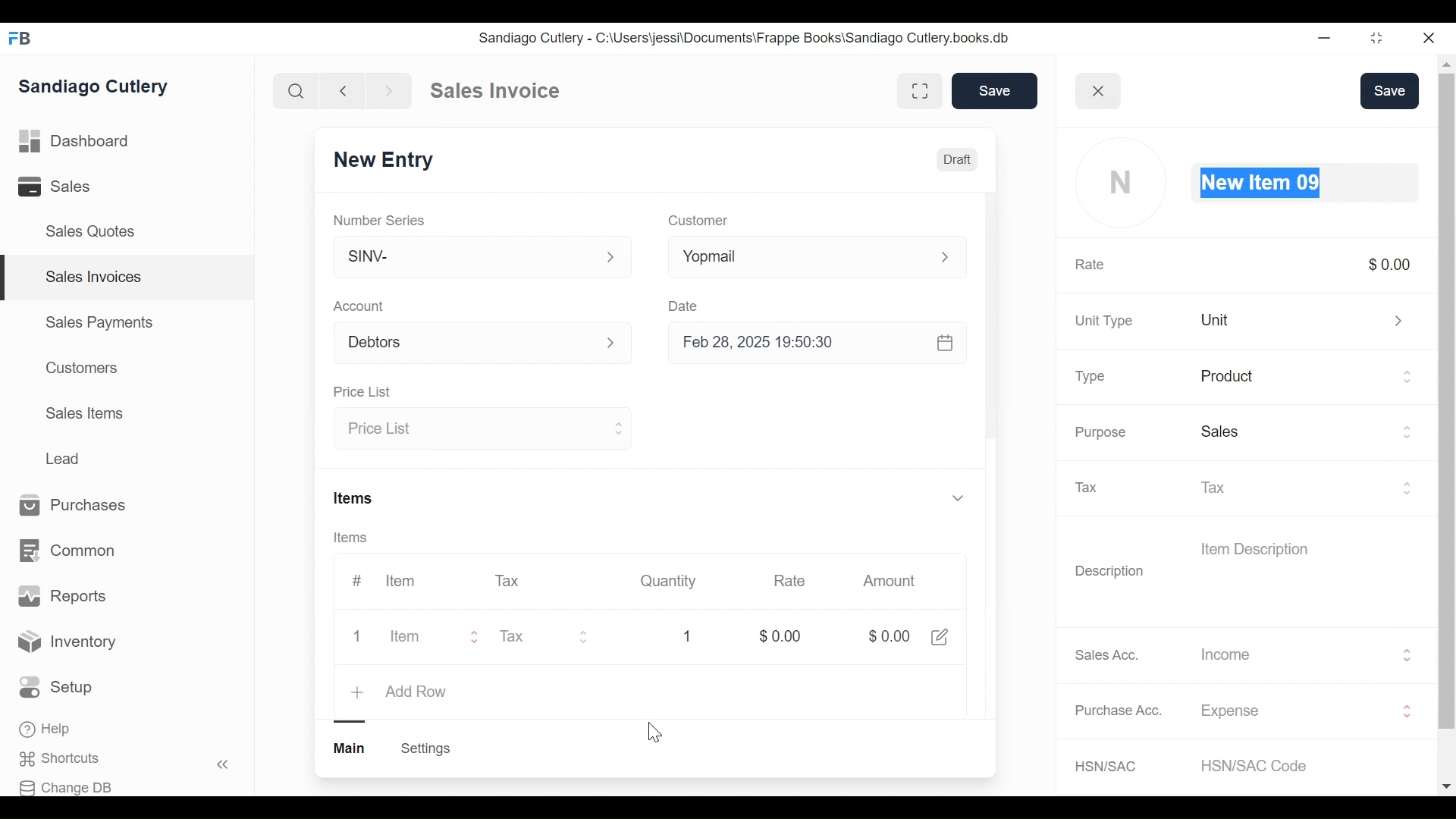  Describe the element at coordinates (919, 90) in the screenshot. I see `fullscreen` at that location.